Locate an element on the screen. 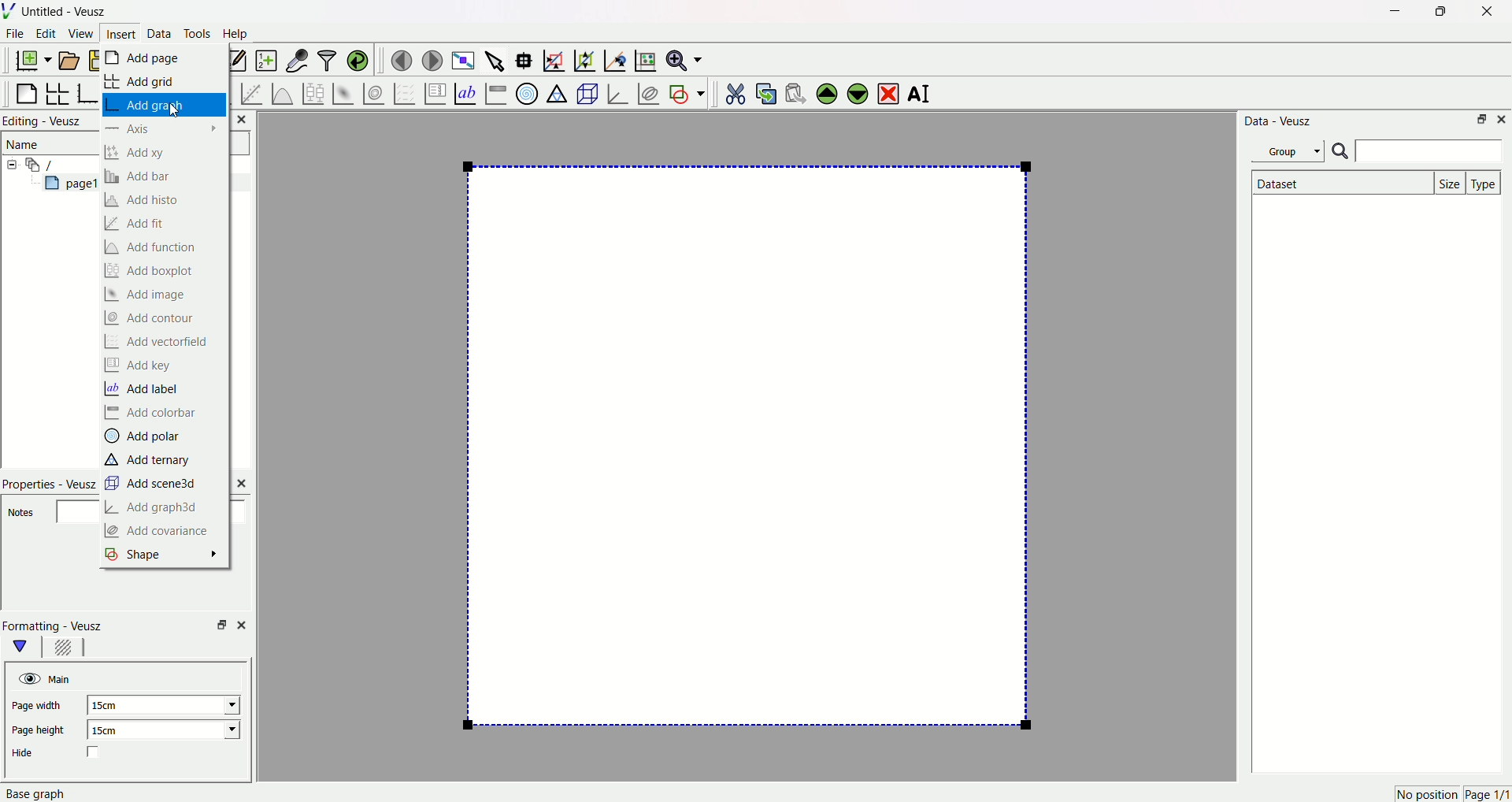  Add xy is located at coordinates (146, 150).